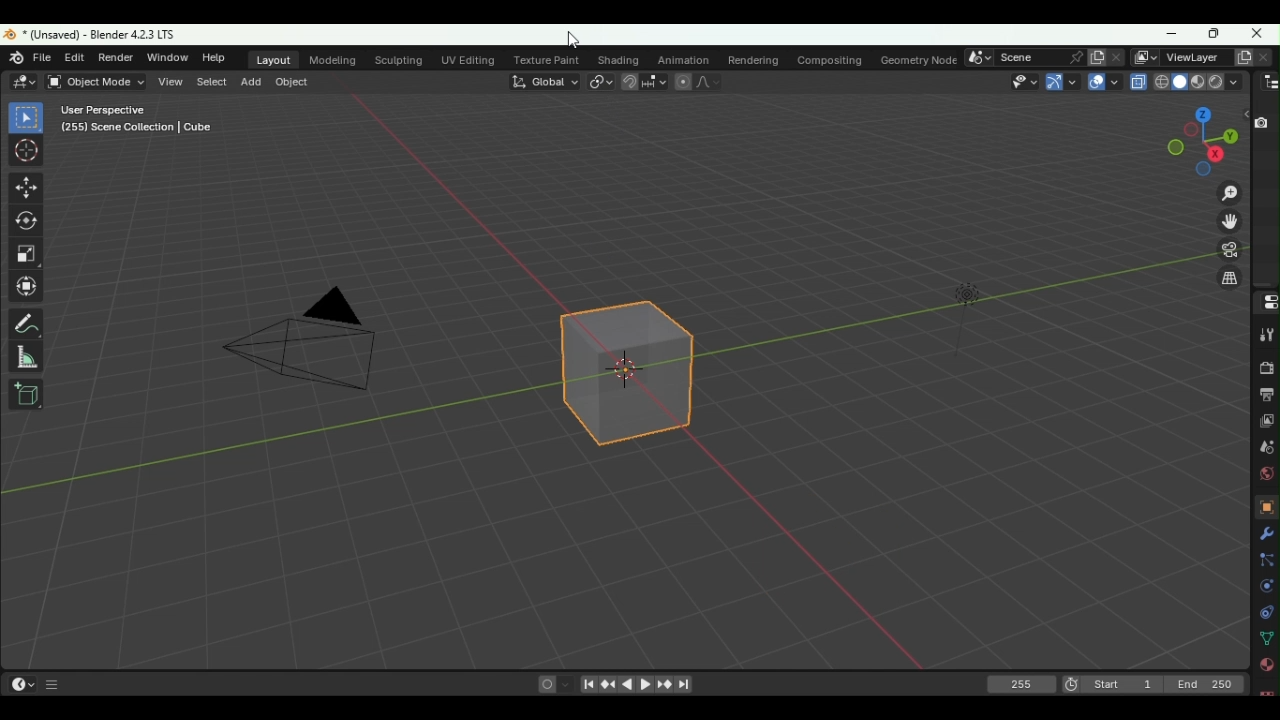 This screenshot has height=720, width=1280. I want to click on Cube object, so click(625, 376).